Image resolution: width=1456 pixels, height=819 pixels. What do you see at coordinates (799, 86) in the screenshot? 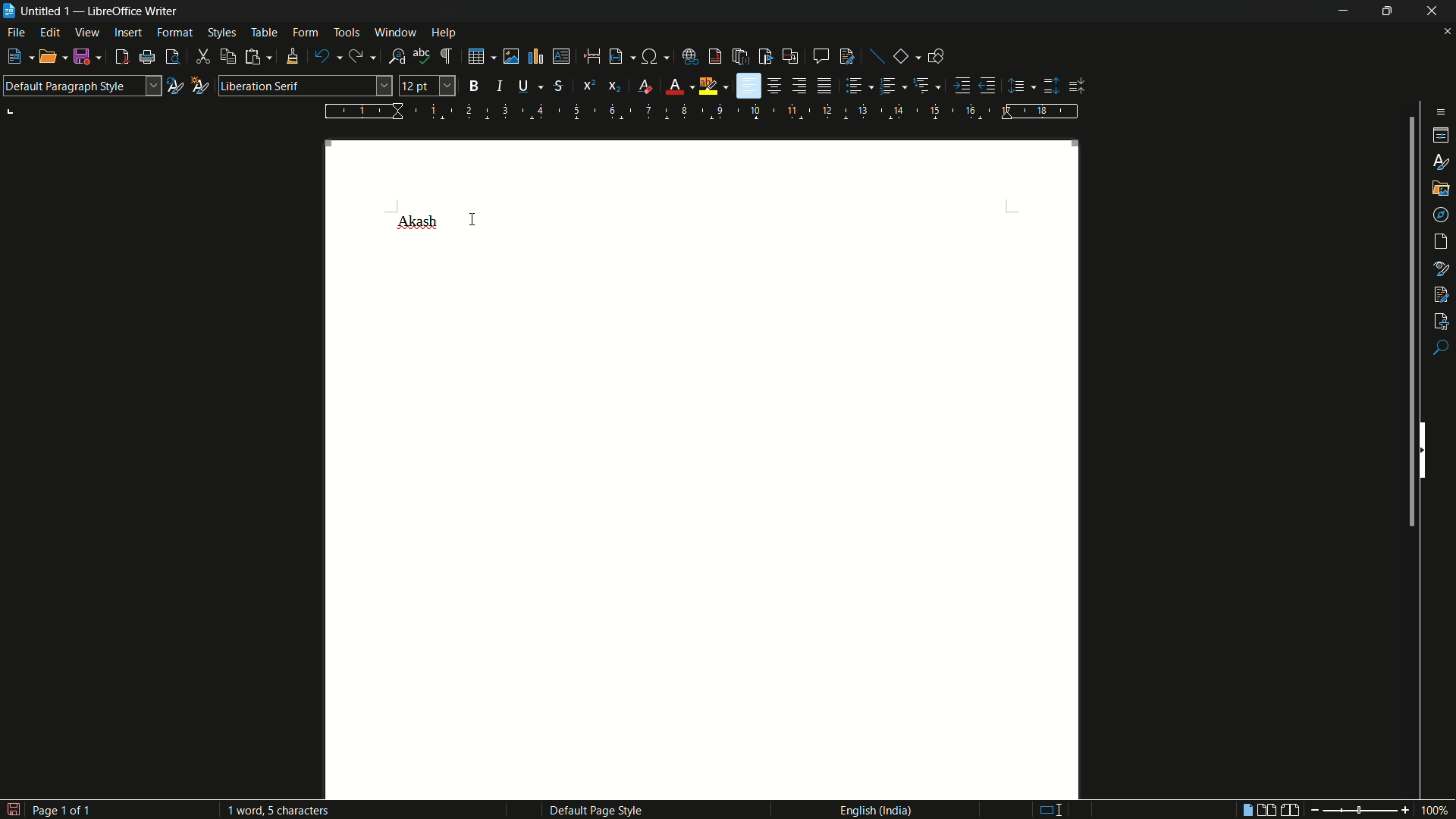
I see `align right` at bounding box center [799, 86].